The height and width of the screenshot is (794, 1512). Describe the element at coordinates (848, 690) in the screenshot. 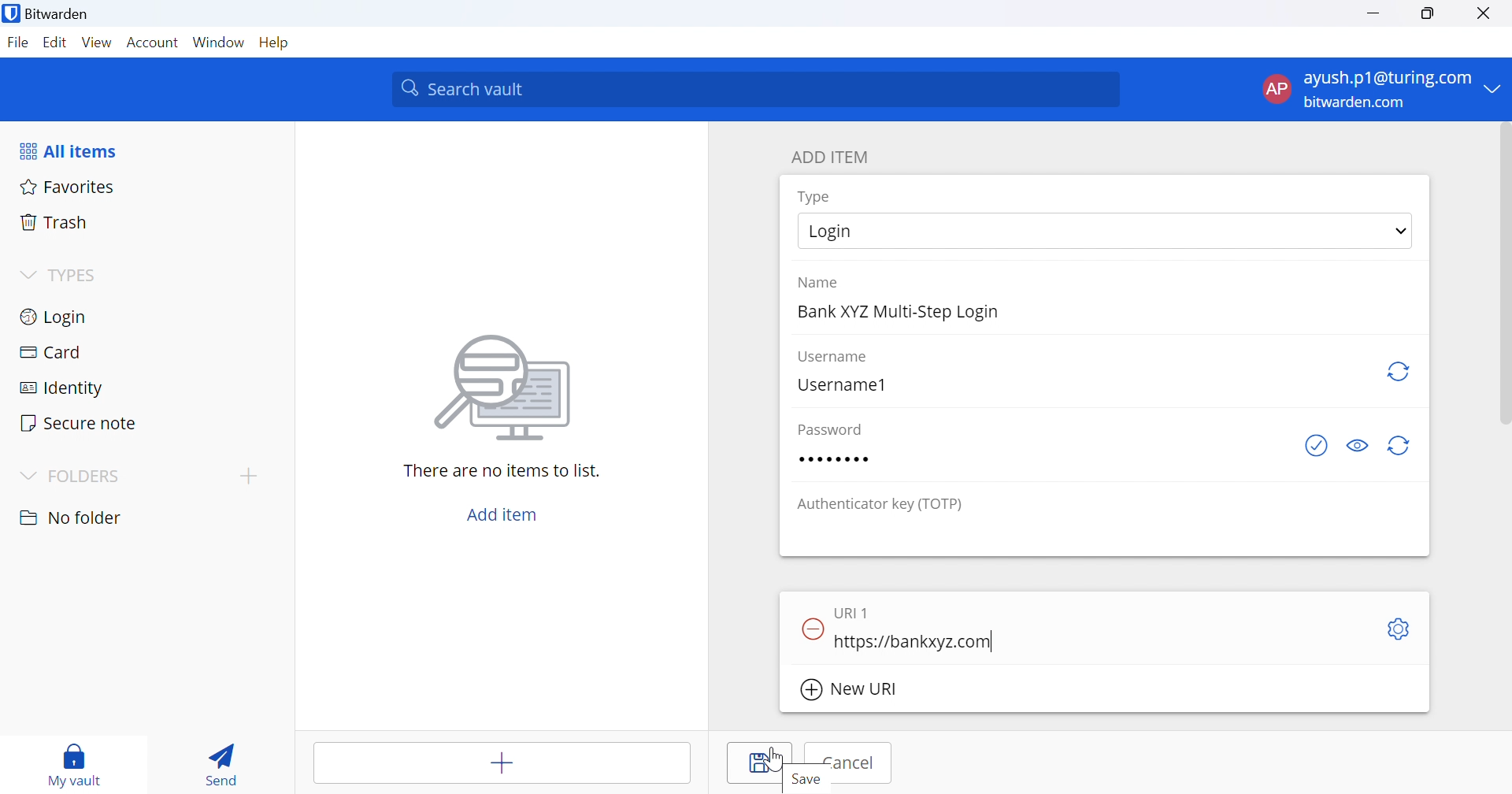

I see `New URI` at that location.